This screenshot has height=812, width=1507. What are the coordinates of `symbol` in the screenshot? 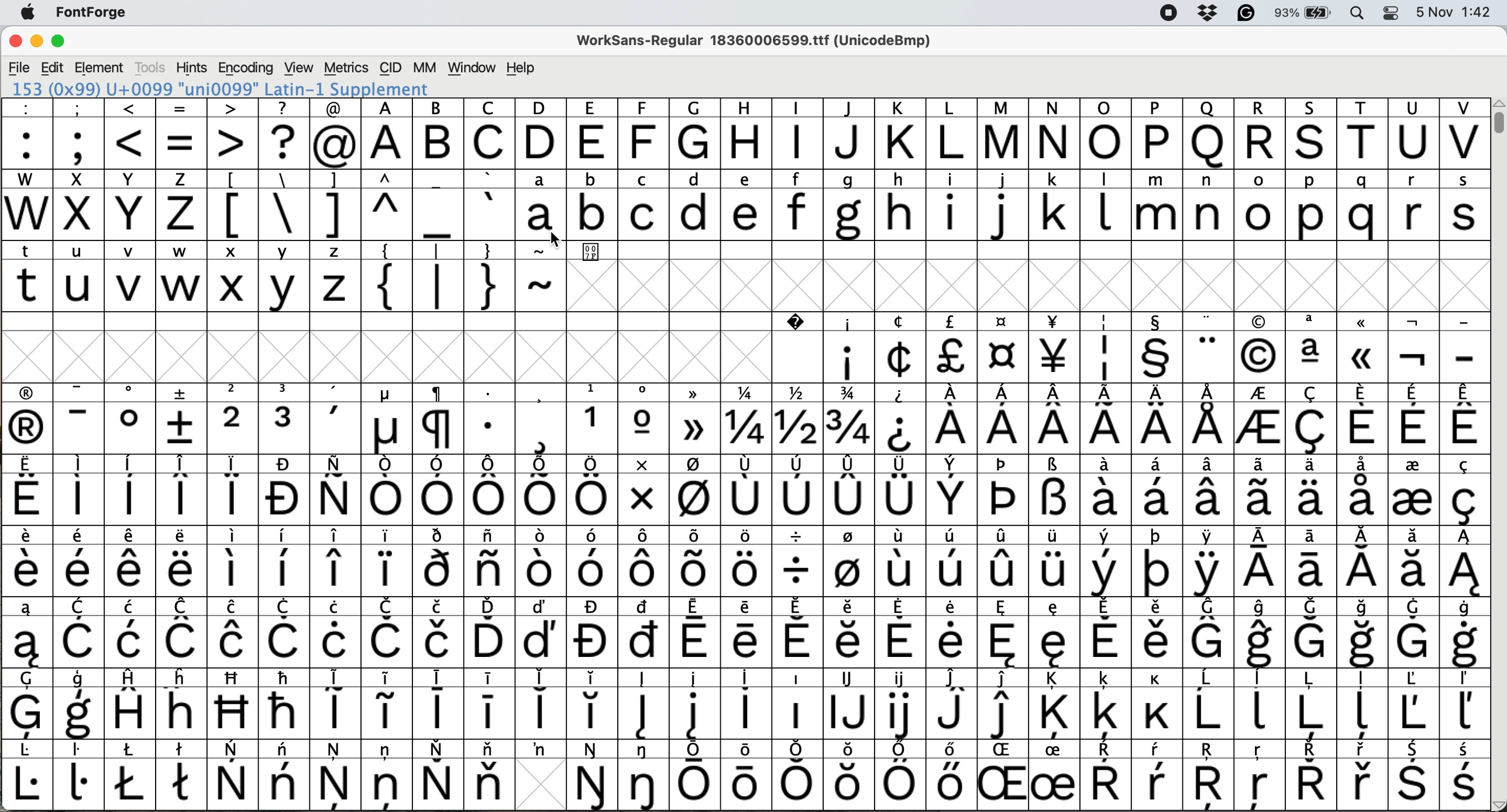 It's located at (336, 774).